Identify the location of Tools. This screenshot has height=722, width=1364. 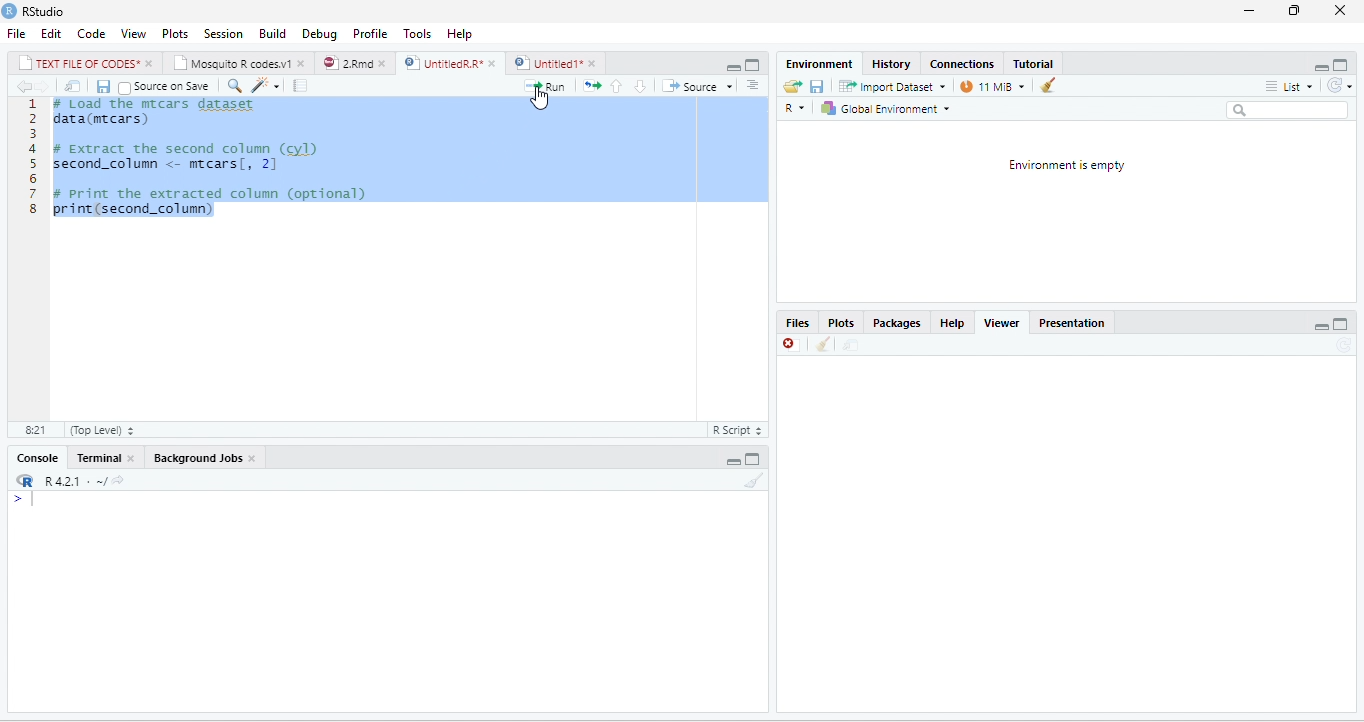
(418, 32).